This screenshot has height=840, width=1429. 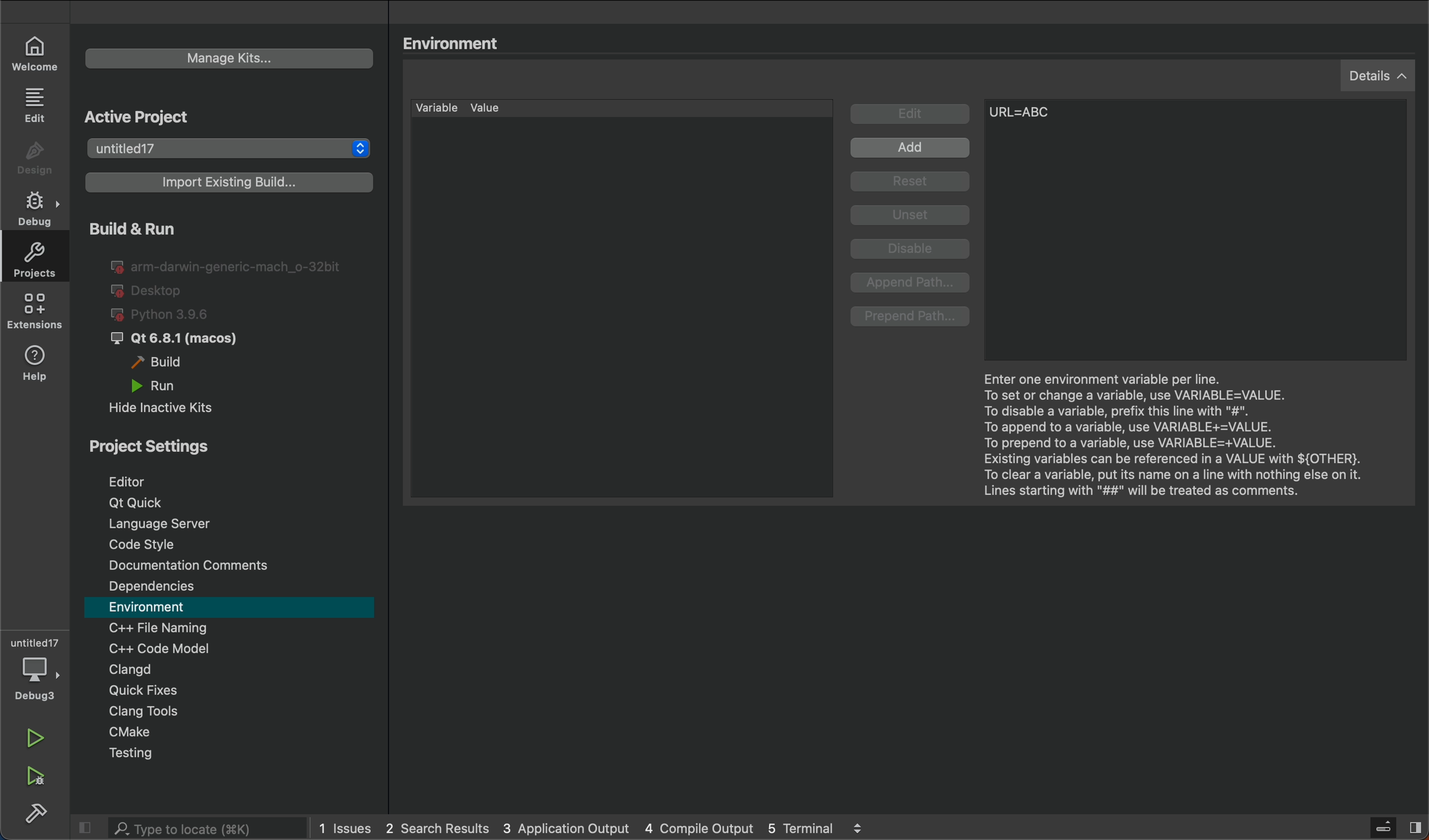 What do you see at coordinates (227, 60) in the screenshot?
I see `kits` at bounding box center [227, 60].